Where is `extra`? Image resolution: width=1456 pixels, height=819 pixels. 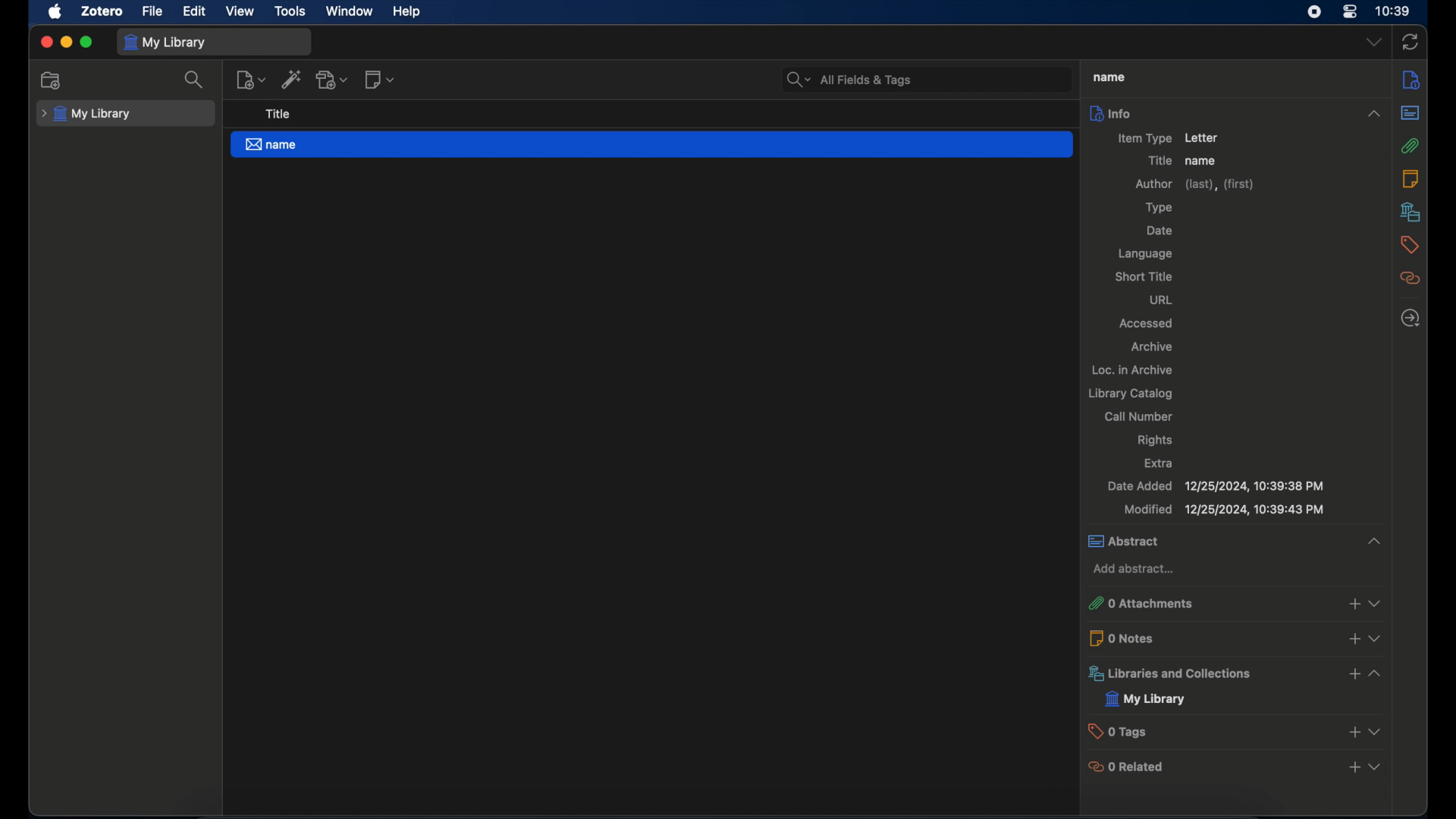 extra is located at coordinates (1161, 463).